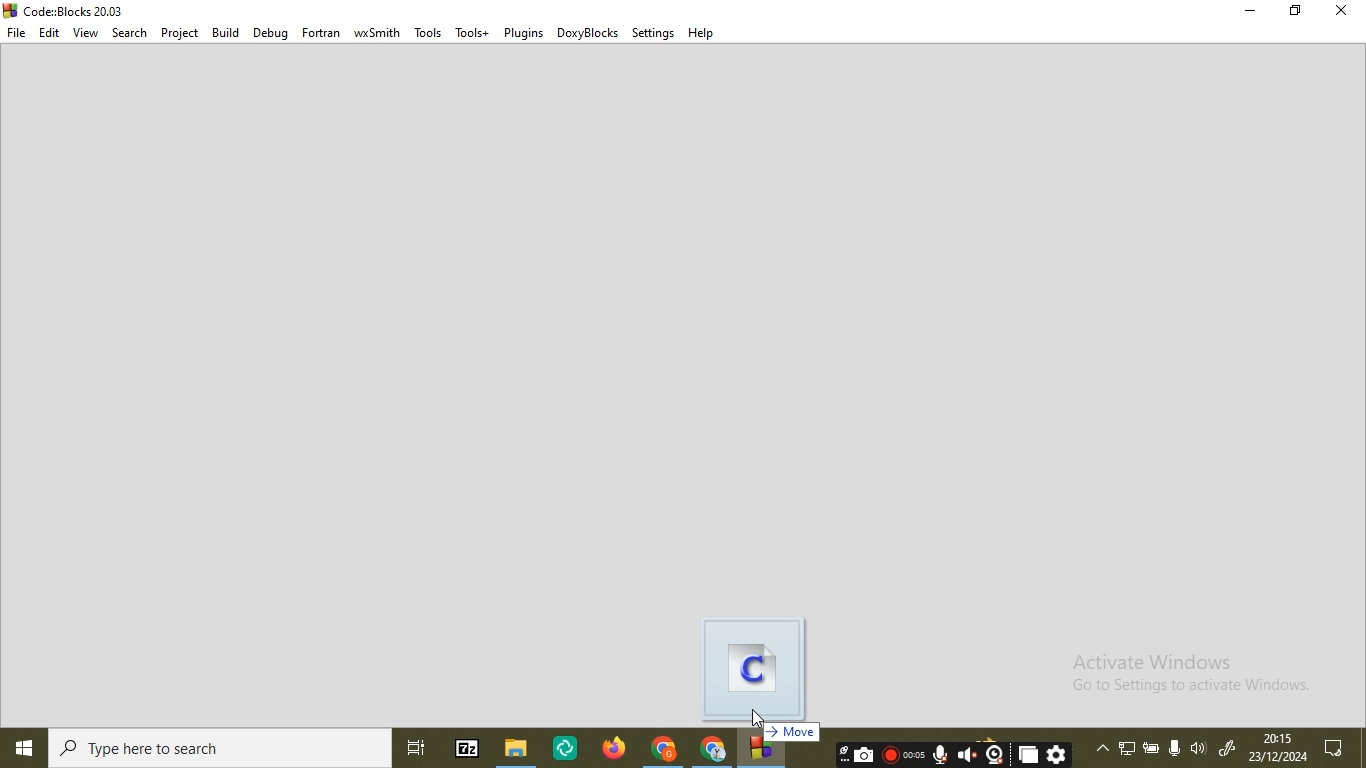  Describe the element at coordinates (1248, 11) in the screenshot. I see `Minimise` at that location.